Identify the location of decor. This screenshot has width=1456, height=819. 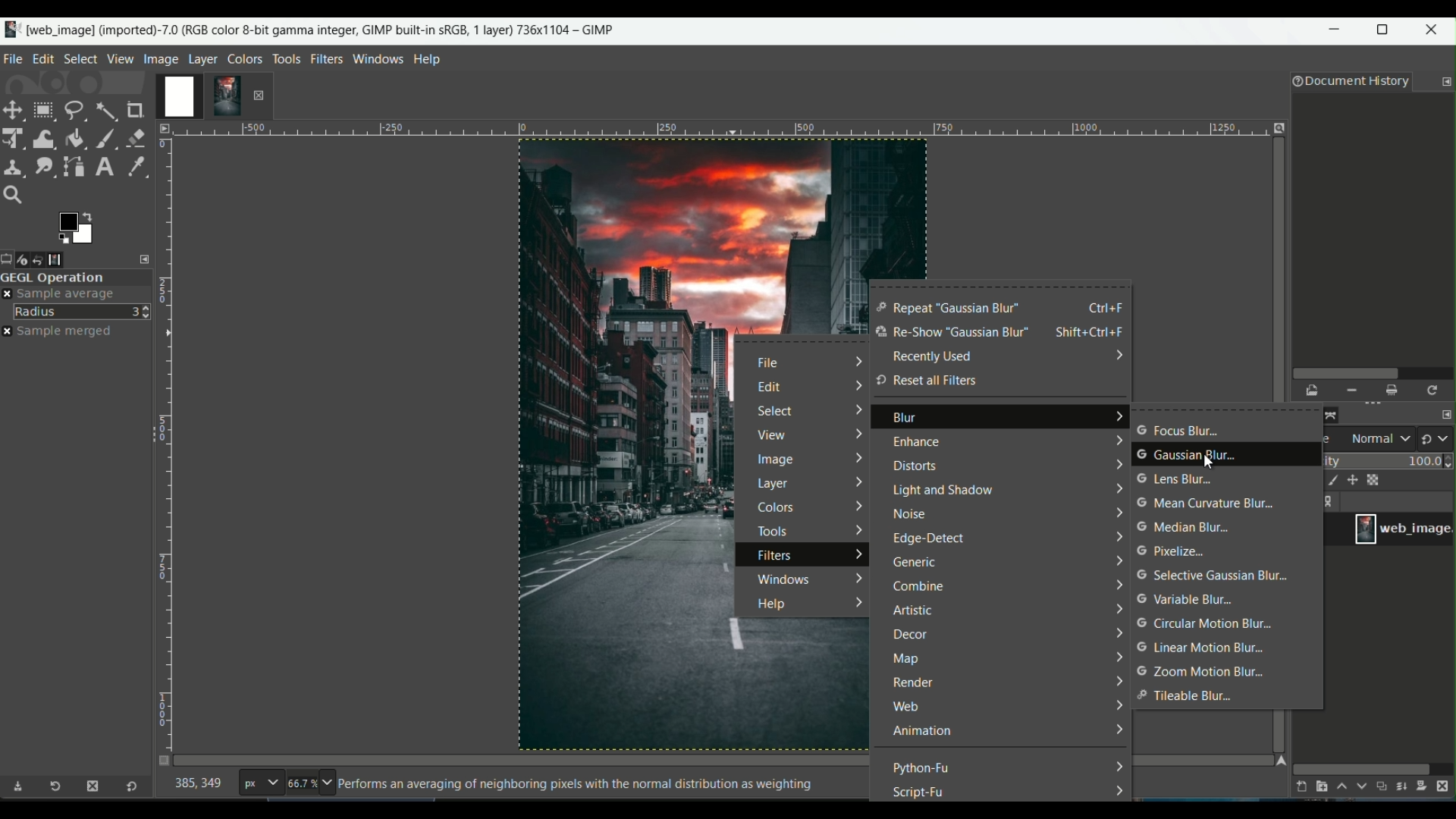
(910, 635).